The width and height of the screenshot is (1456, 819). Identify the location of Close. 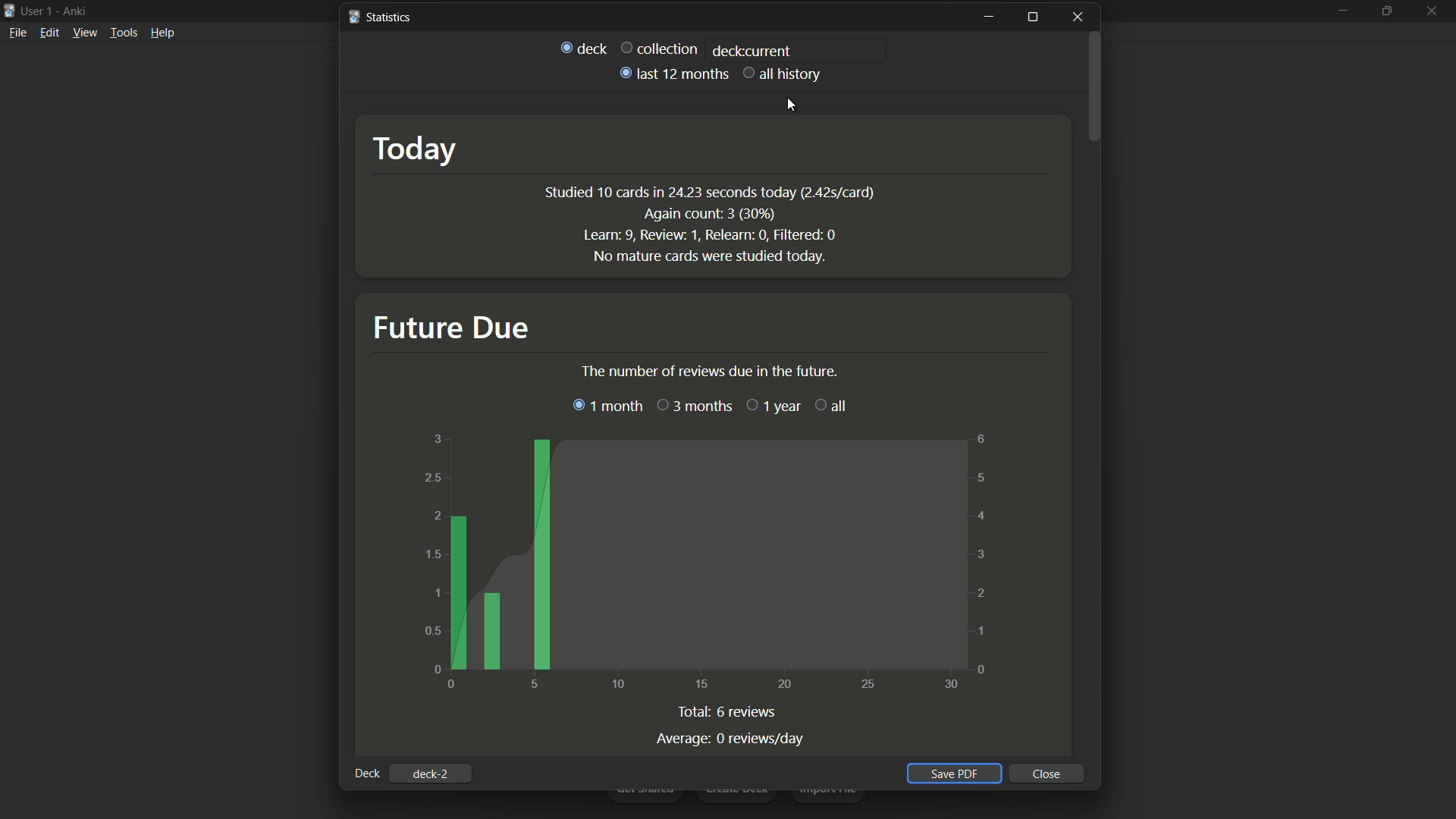
(1049, 773).